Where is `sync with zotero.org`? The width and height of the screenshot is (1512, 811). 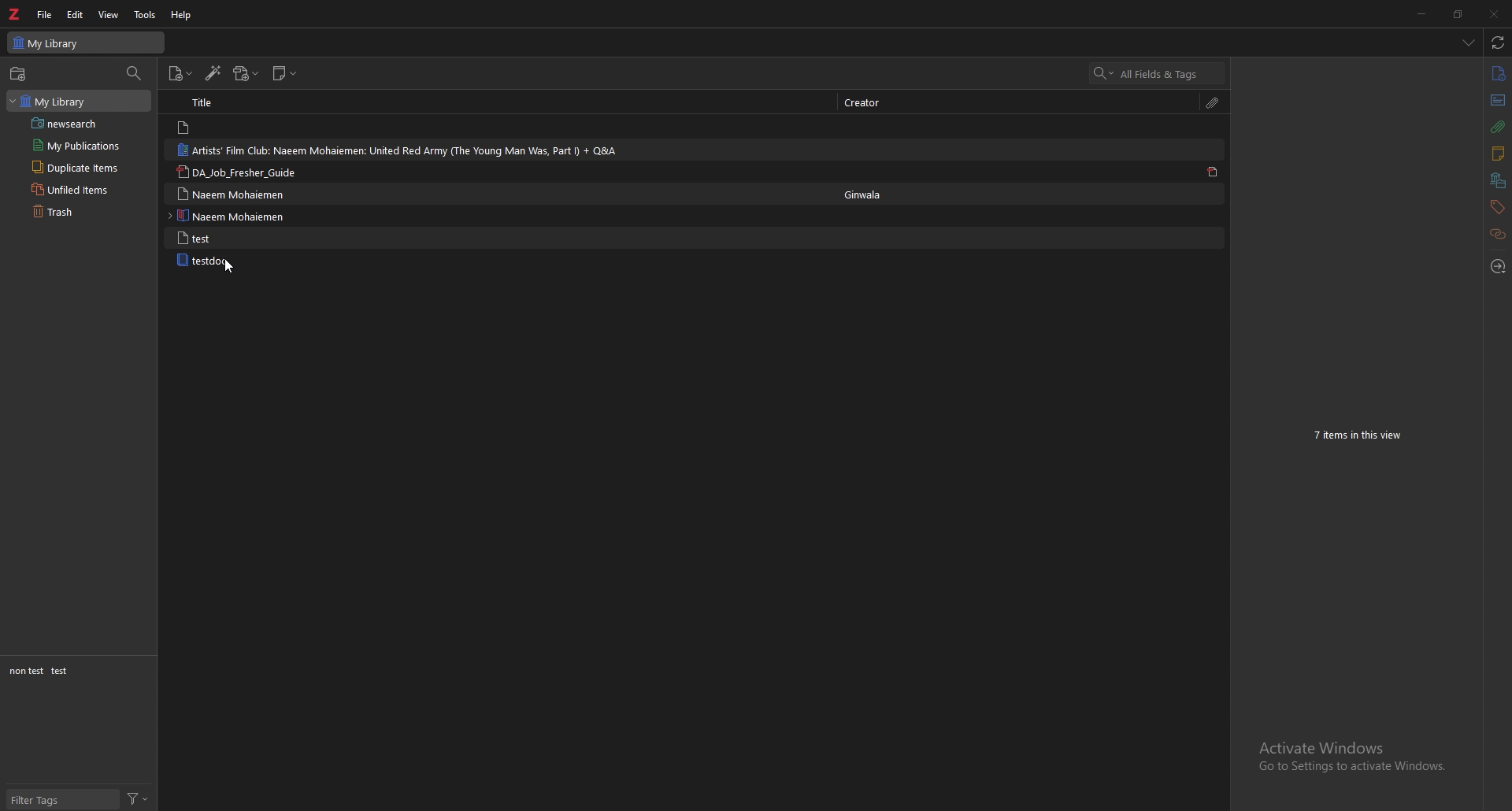
sync with zotero.org is located at coordinates (1498, 43).